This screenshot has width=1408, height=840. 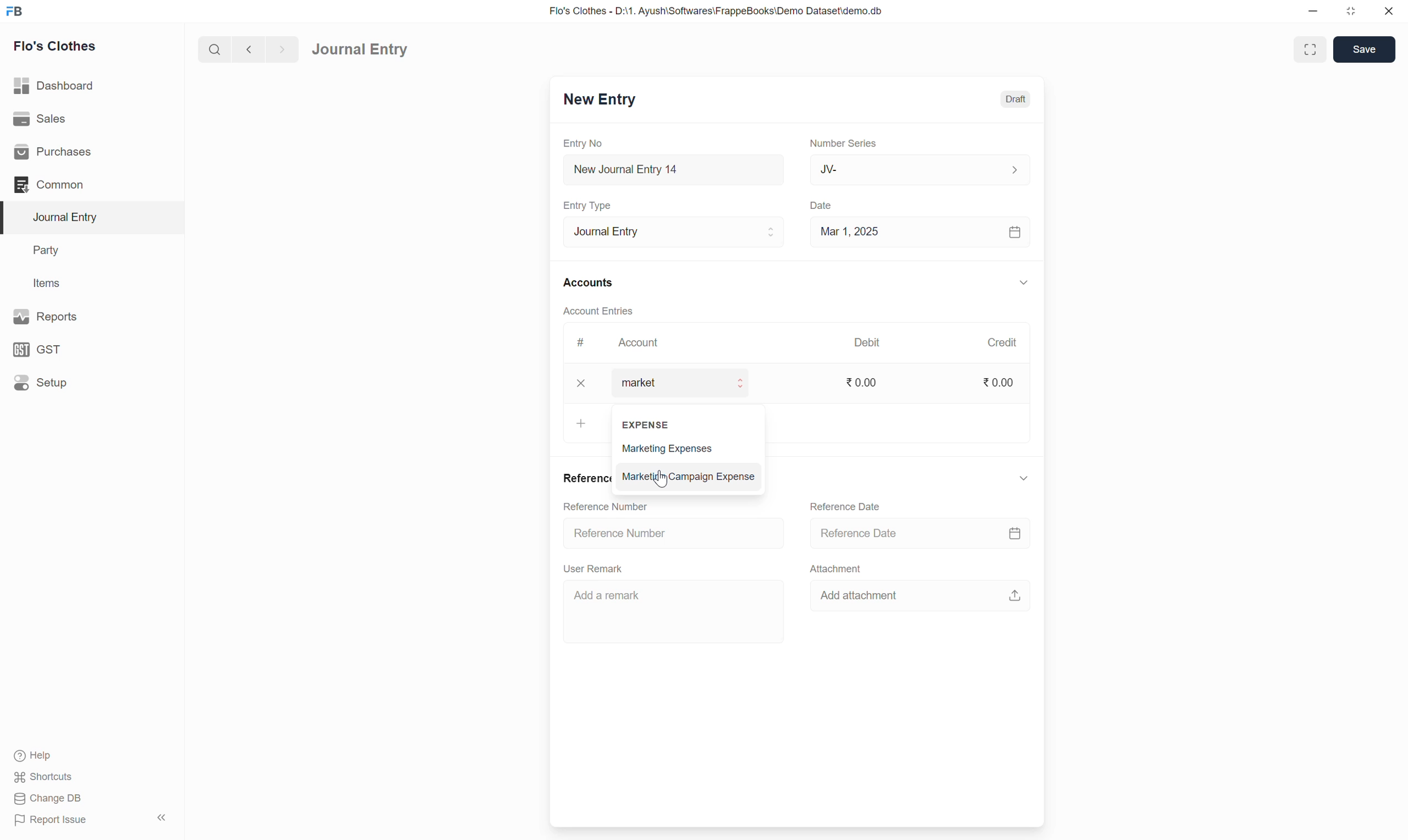 What do you see at coordinates (1017, 98) in the screenshot?
I see `Draft` at bounding box center [1017, 98].